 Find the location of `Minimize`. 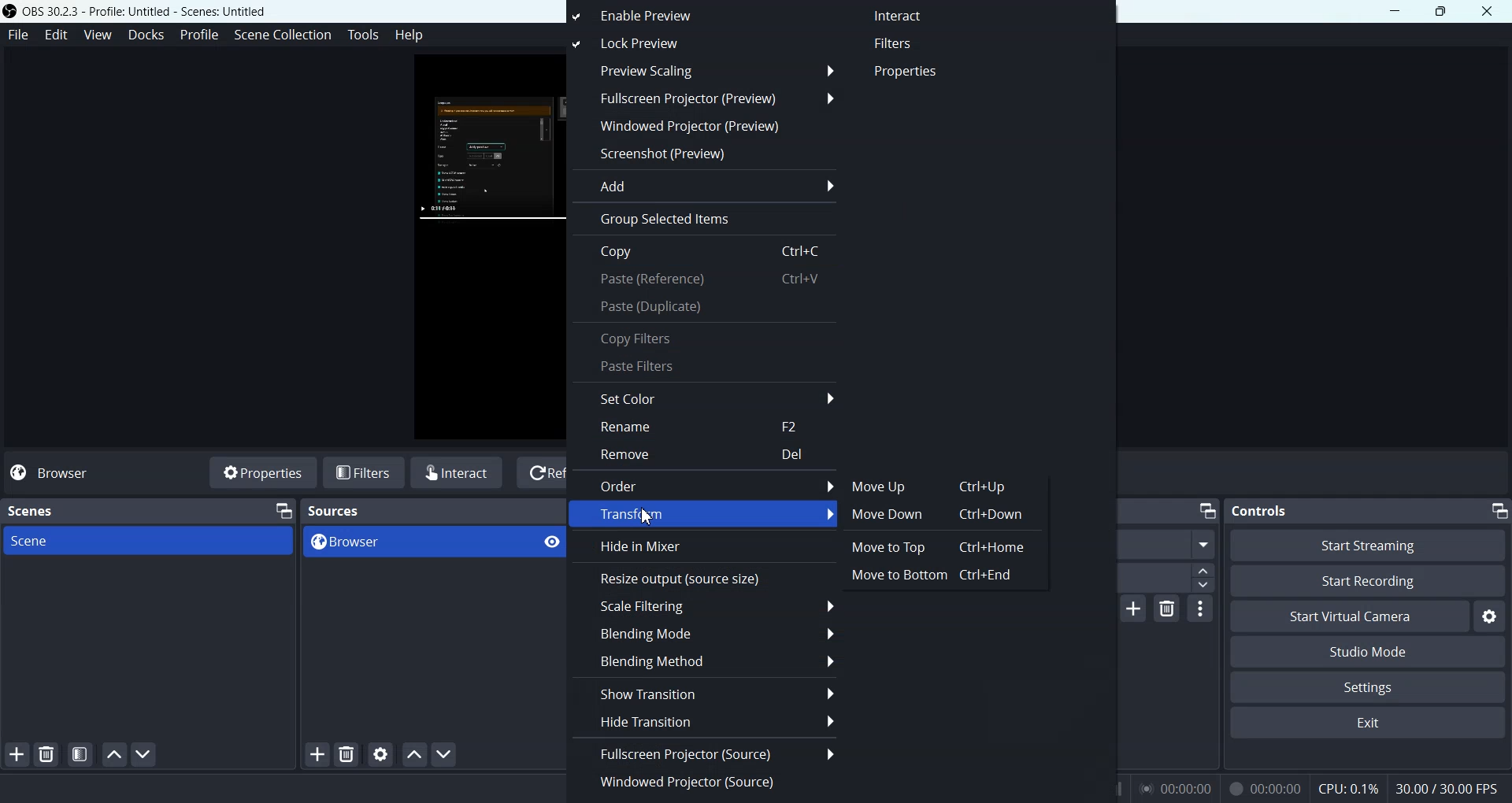

Minimize is located at coordinates (1499, 511).